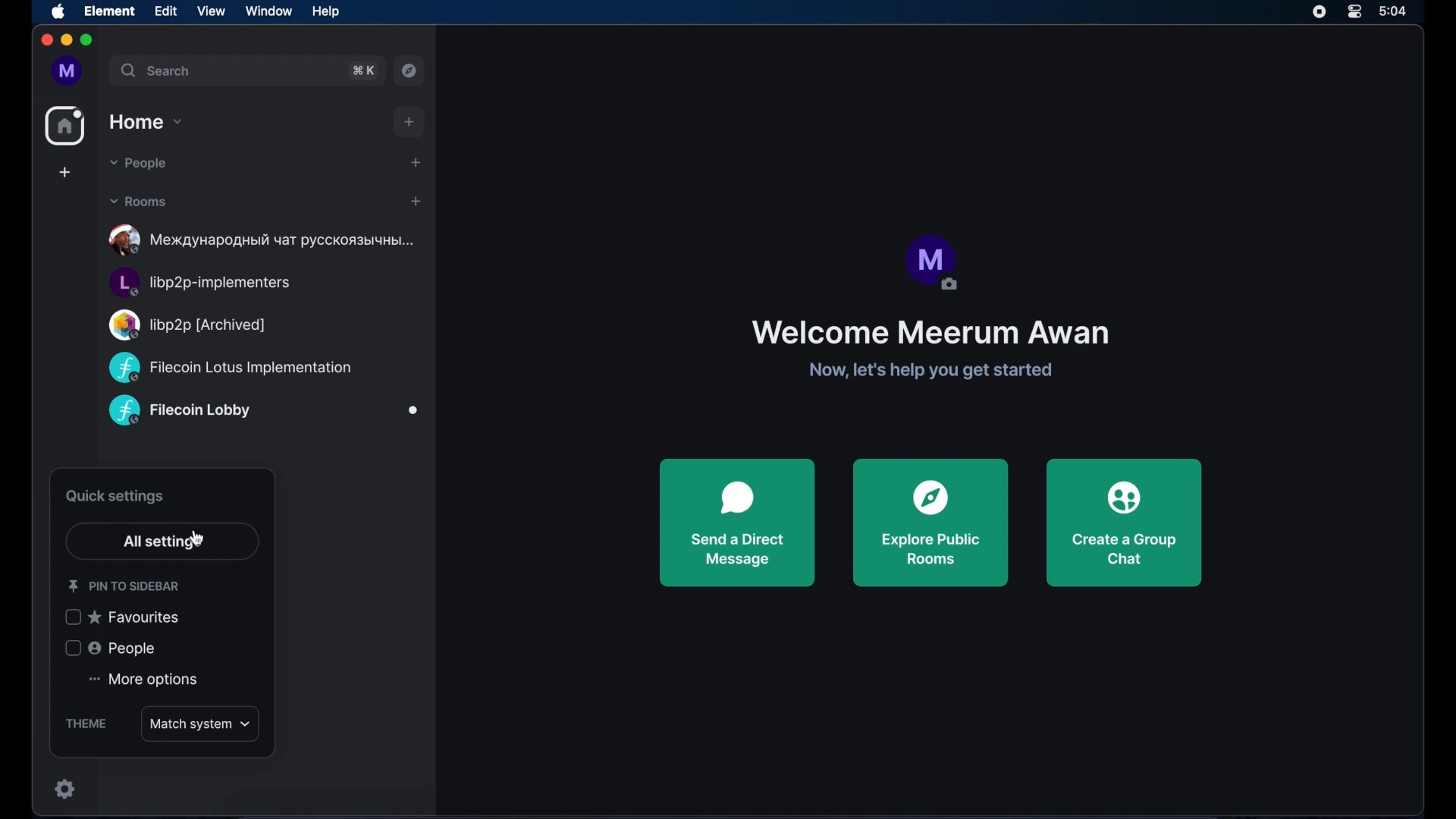 The height and width of the screenshot is (819, 1456). Describe the element at coordinates (200, 723) in the screenshot. I see `match system dropdown` at that location.